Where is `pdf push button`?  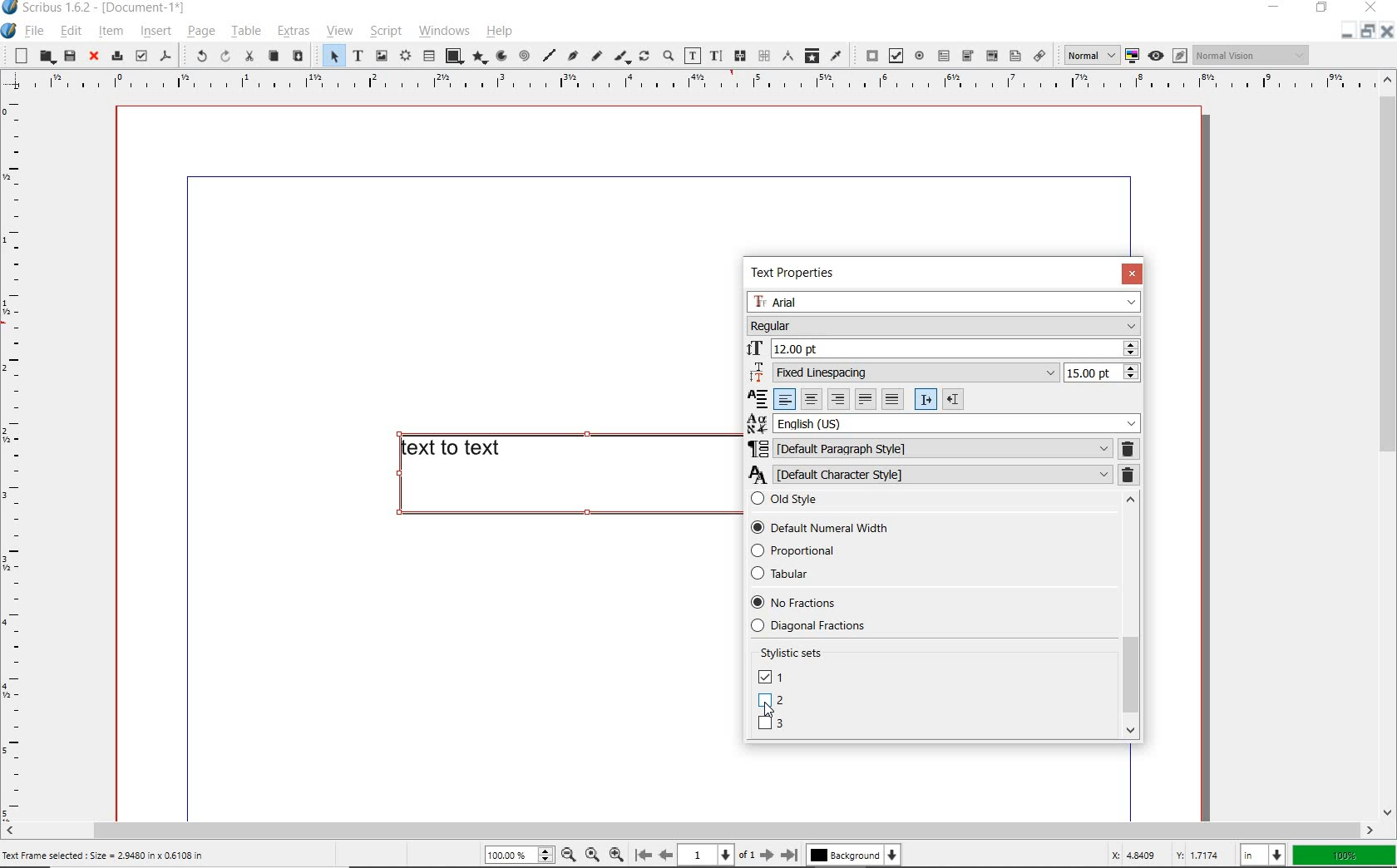
pdf push button is located at coordinates (868, 56).